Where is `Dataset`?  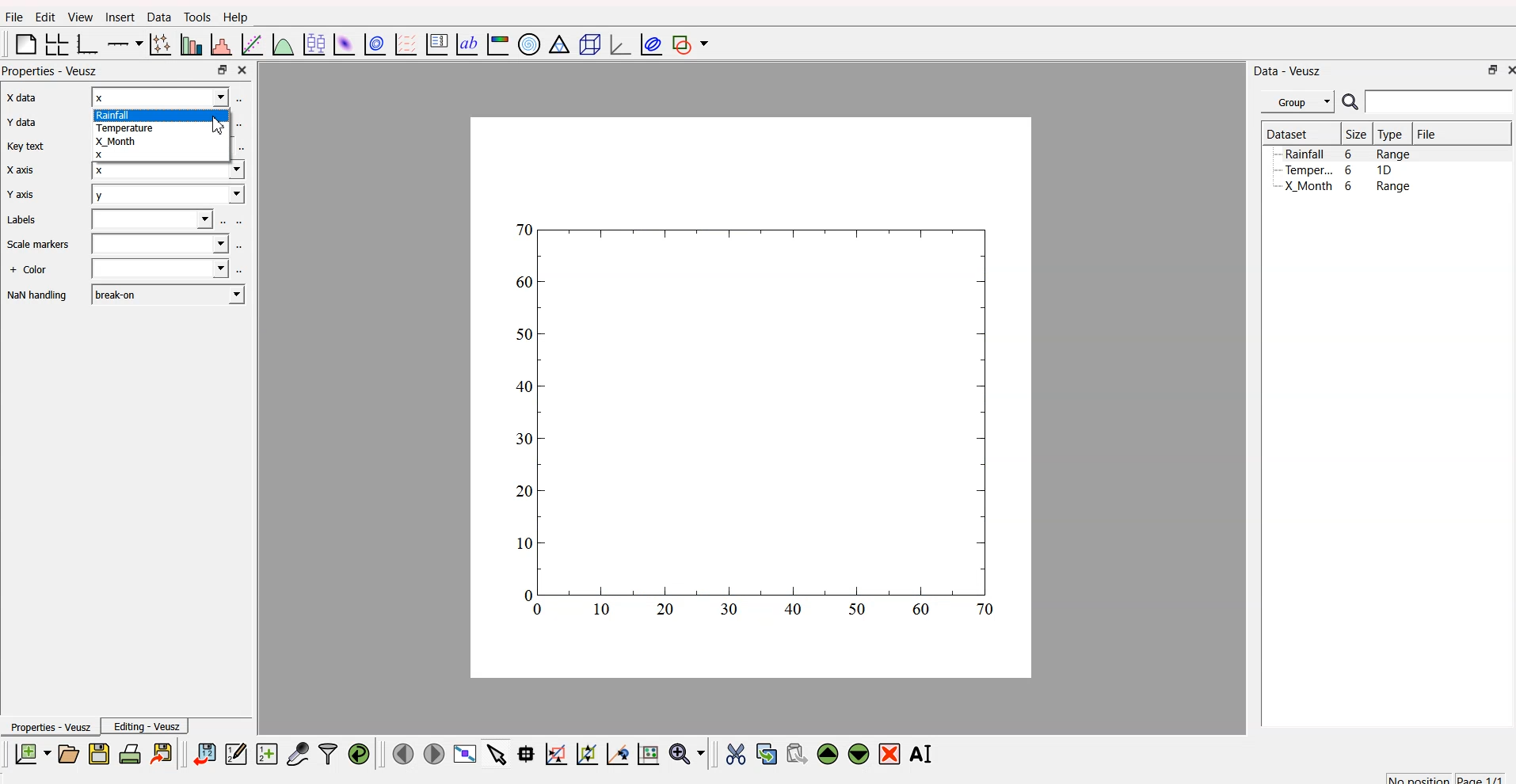
Dataset is located at coordinates (1287, 133).